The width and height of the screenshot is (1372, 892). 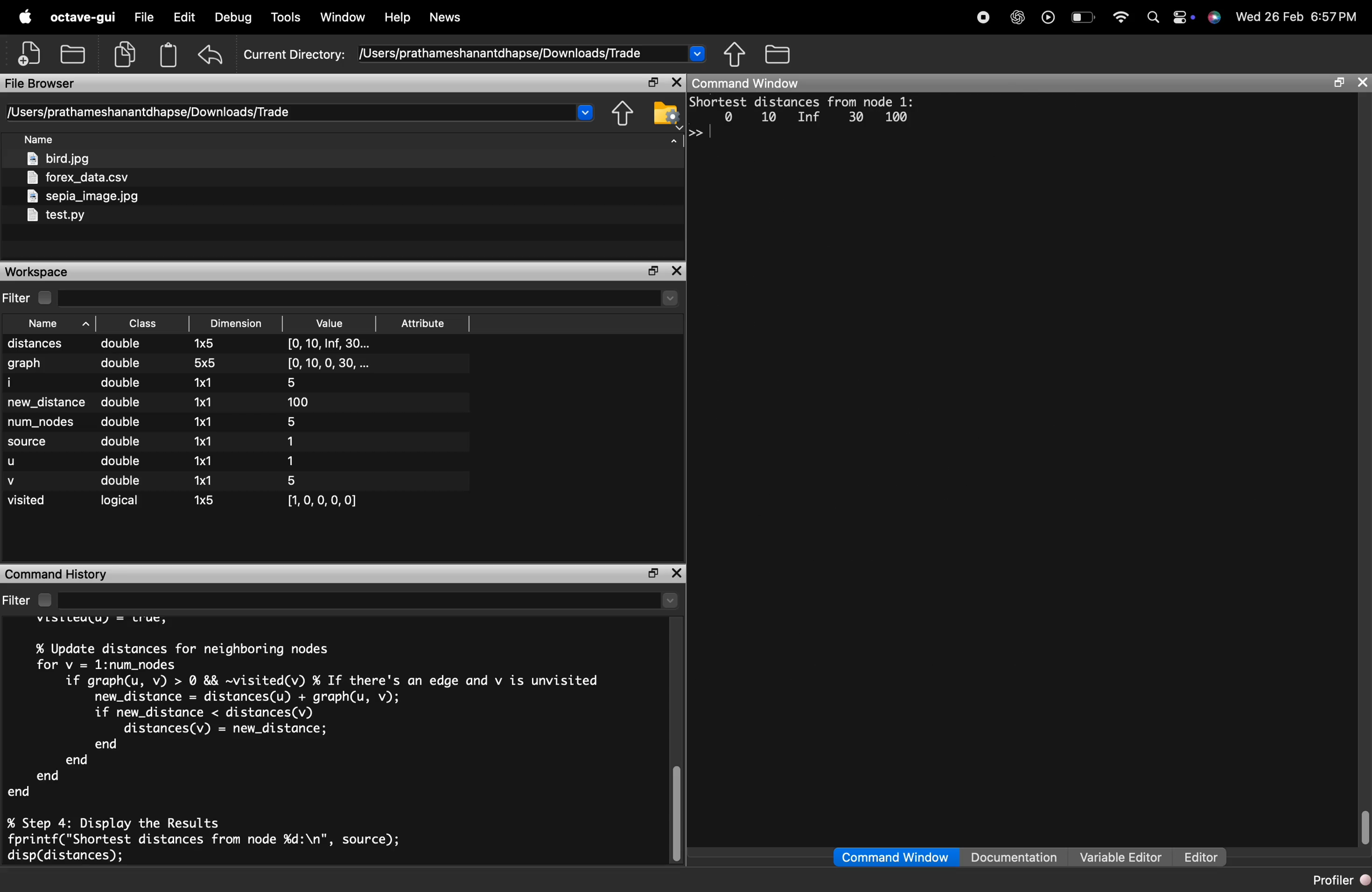 What do you see at coordinates (677, 271) in the screenshot?
I see `close` at bounding box center [677, 271].